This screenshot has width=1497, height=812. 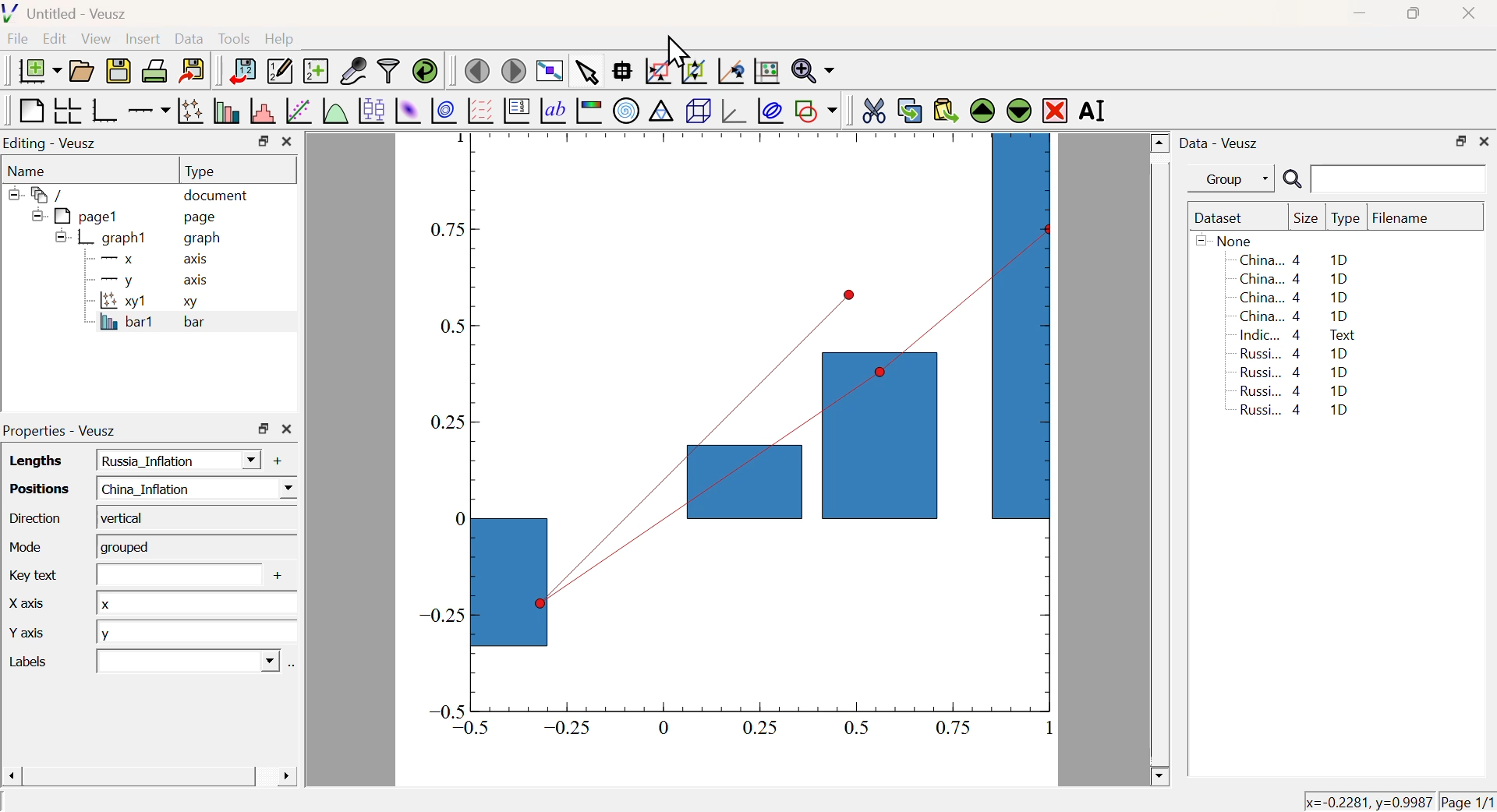 What do you see at coordinates (148, 112) in the screenshot?
I see `Add an axis to a plot` at bounding box center [148, 112].